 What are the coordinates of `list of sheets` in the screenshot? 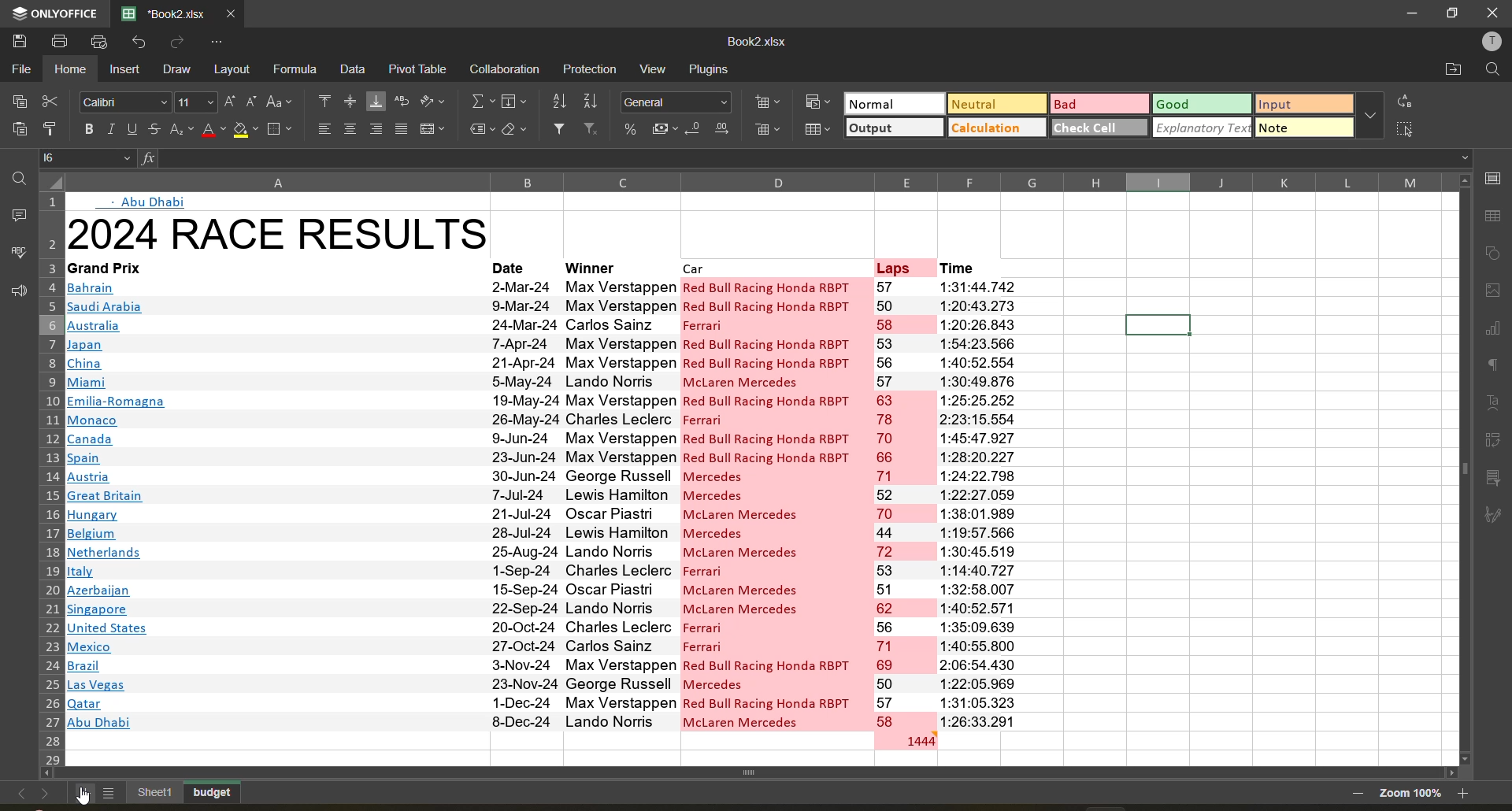 It's located at (110, 791).